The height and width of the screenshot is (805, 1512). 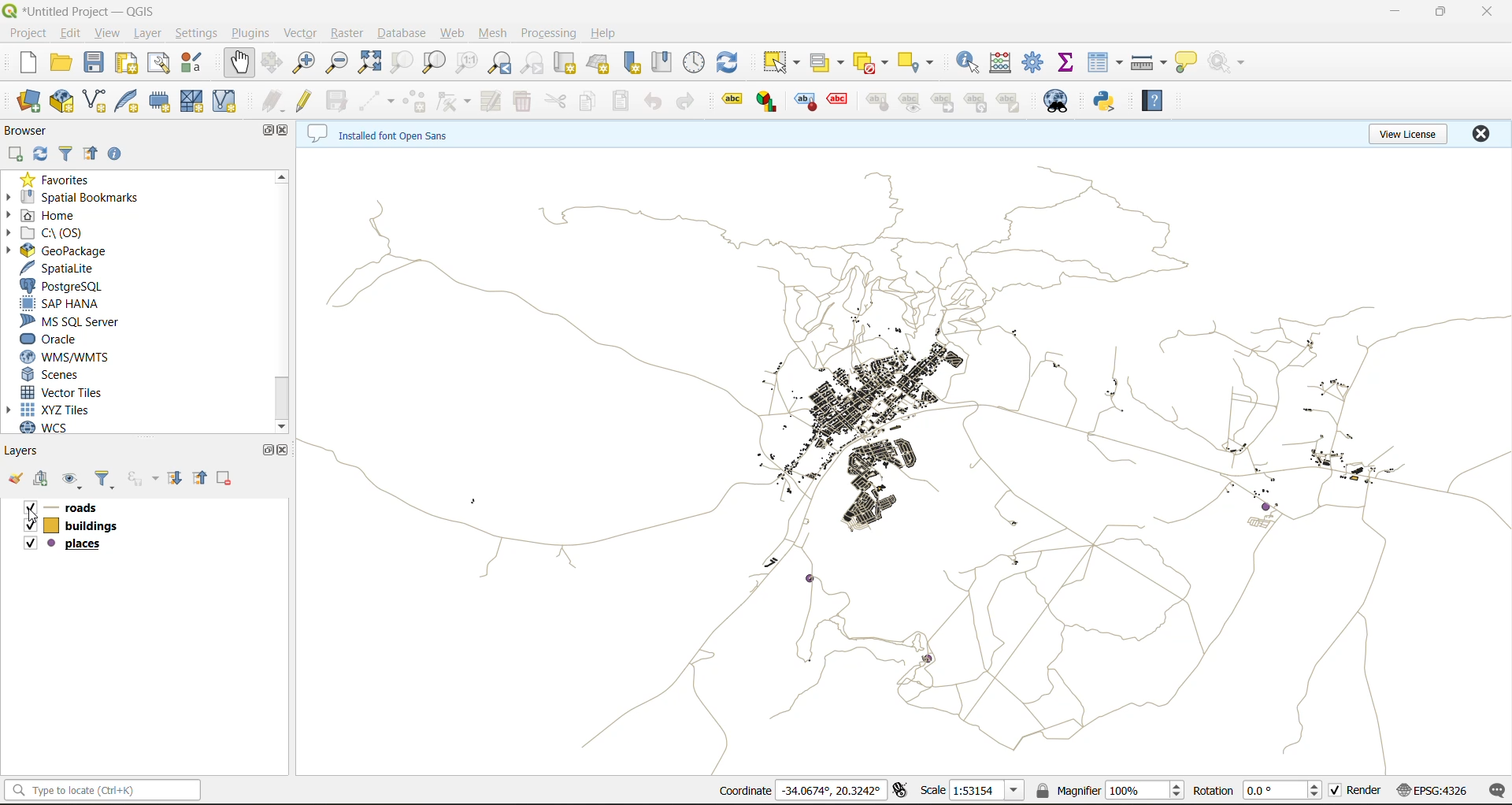 What do you see at coordinates (34, 516) in the screenshot?
I see `Cursor` at bounding box center [34, 516].